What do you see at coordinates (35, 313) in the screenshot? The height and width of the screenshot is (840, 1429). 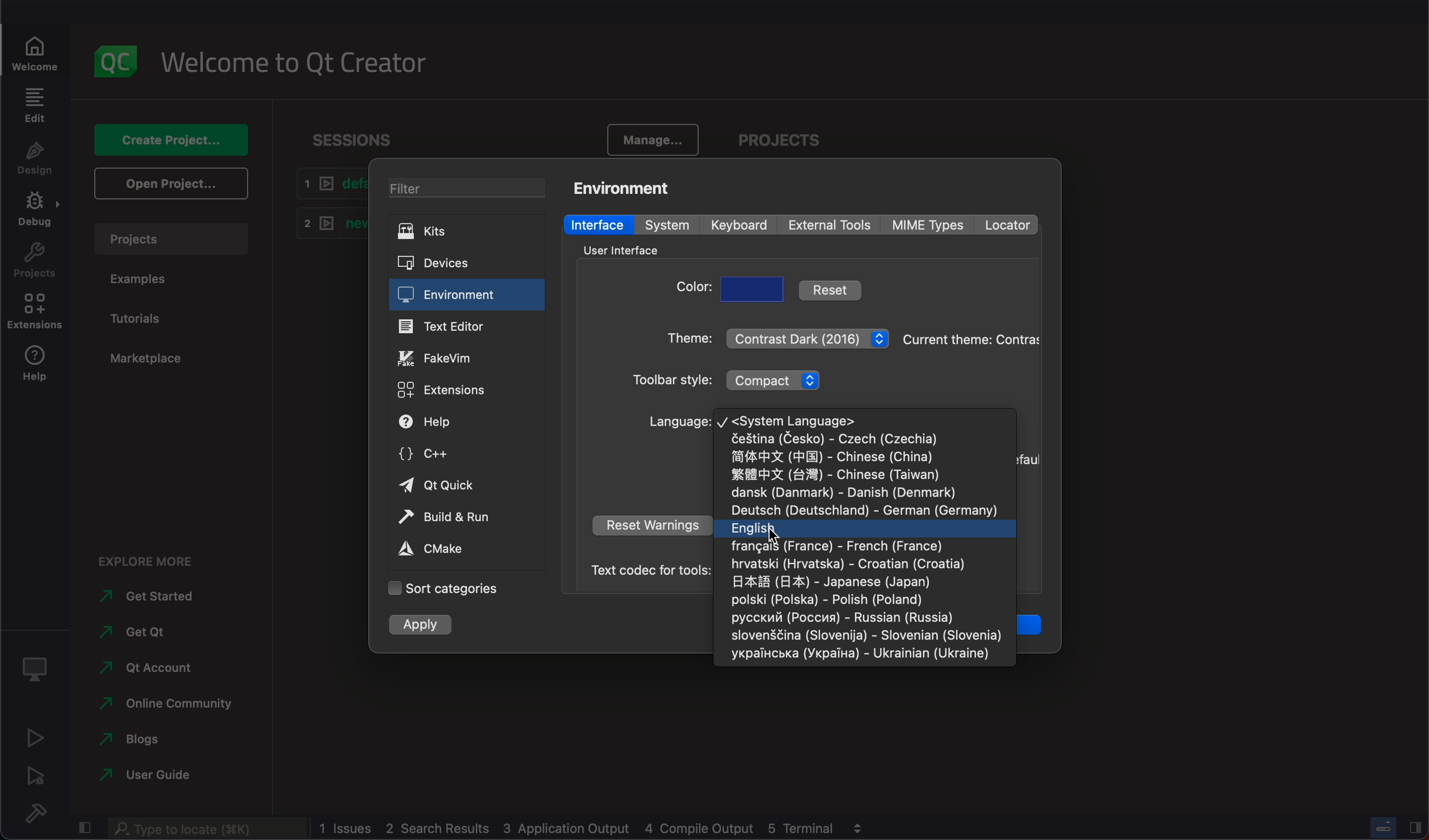 I see `extensions` at bounding box center [35, 313].